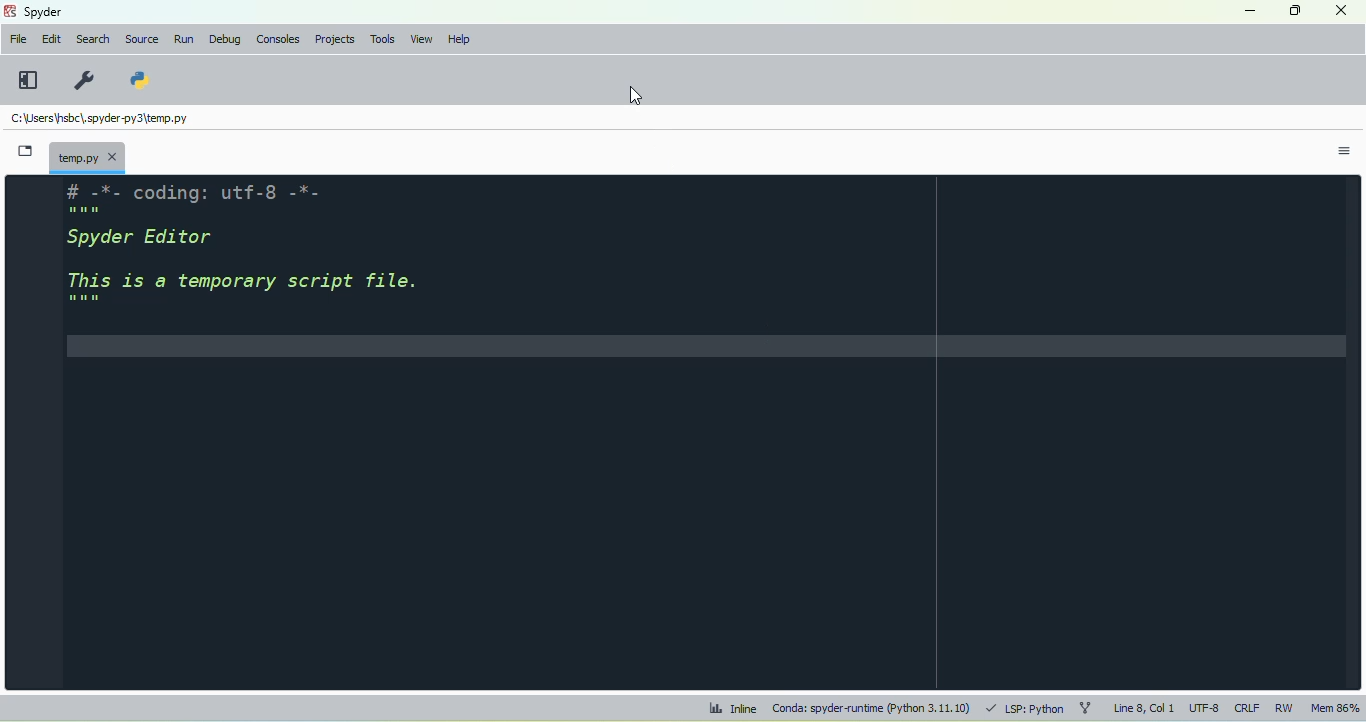 This screenshot has height=722, width=1366. I want to click on logo, so click(10, 10).